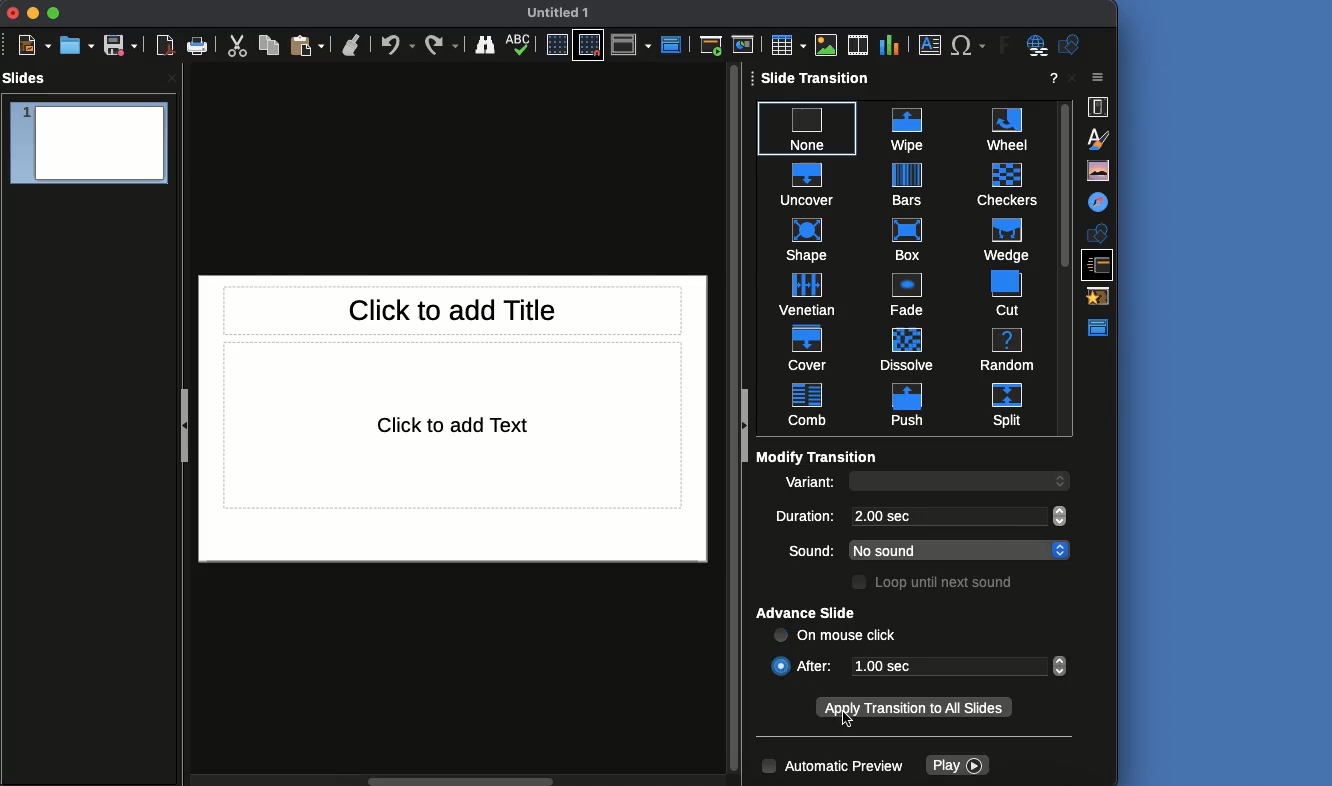  Describe the element at coordinates (16, 13) in the screenshot. I see `Close` at that location.